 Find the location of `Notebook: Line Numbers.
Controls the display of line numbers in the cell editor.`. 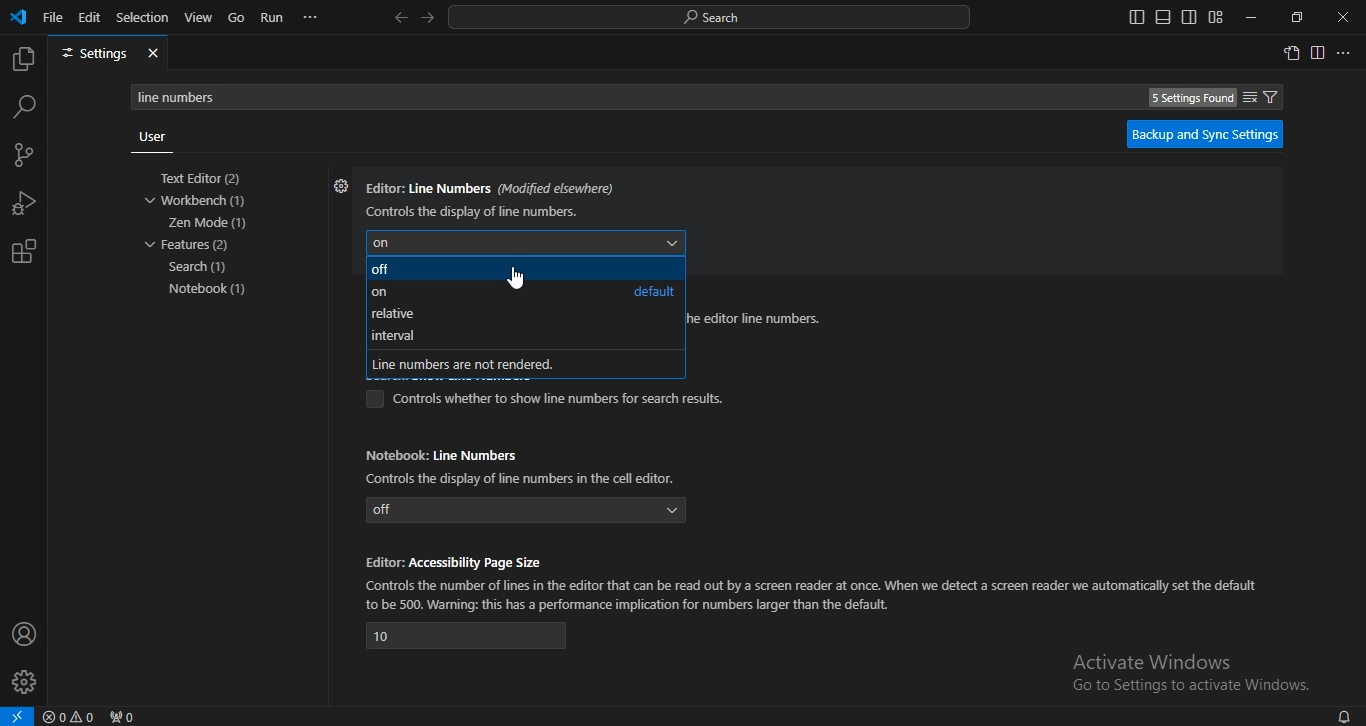

Notebook: Line Numbers.
Controls the display of line numbers in the cell editor. is located at coordinates (526, 464).